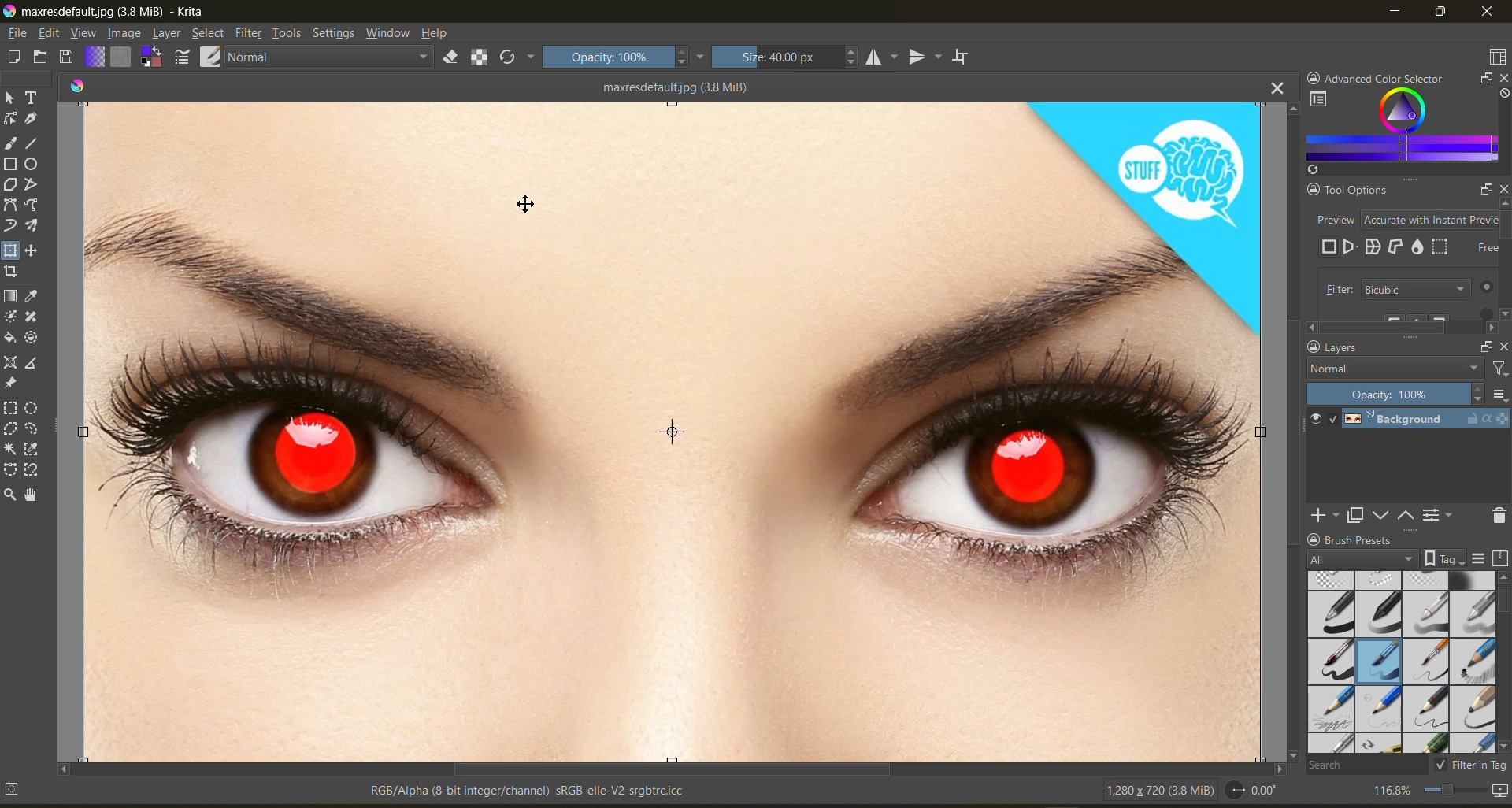 The image size is (1512, 808). What do you see at coordinates (33, 450) in the screenshot?
I see `tool` at bounding box center [33, 450].